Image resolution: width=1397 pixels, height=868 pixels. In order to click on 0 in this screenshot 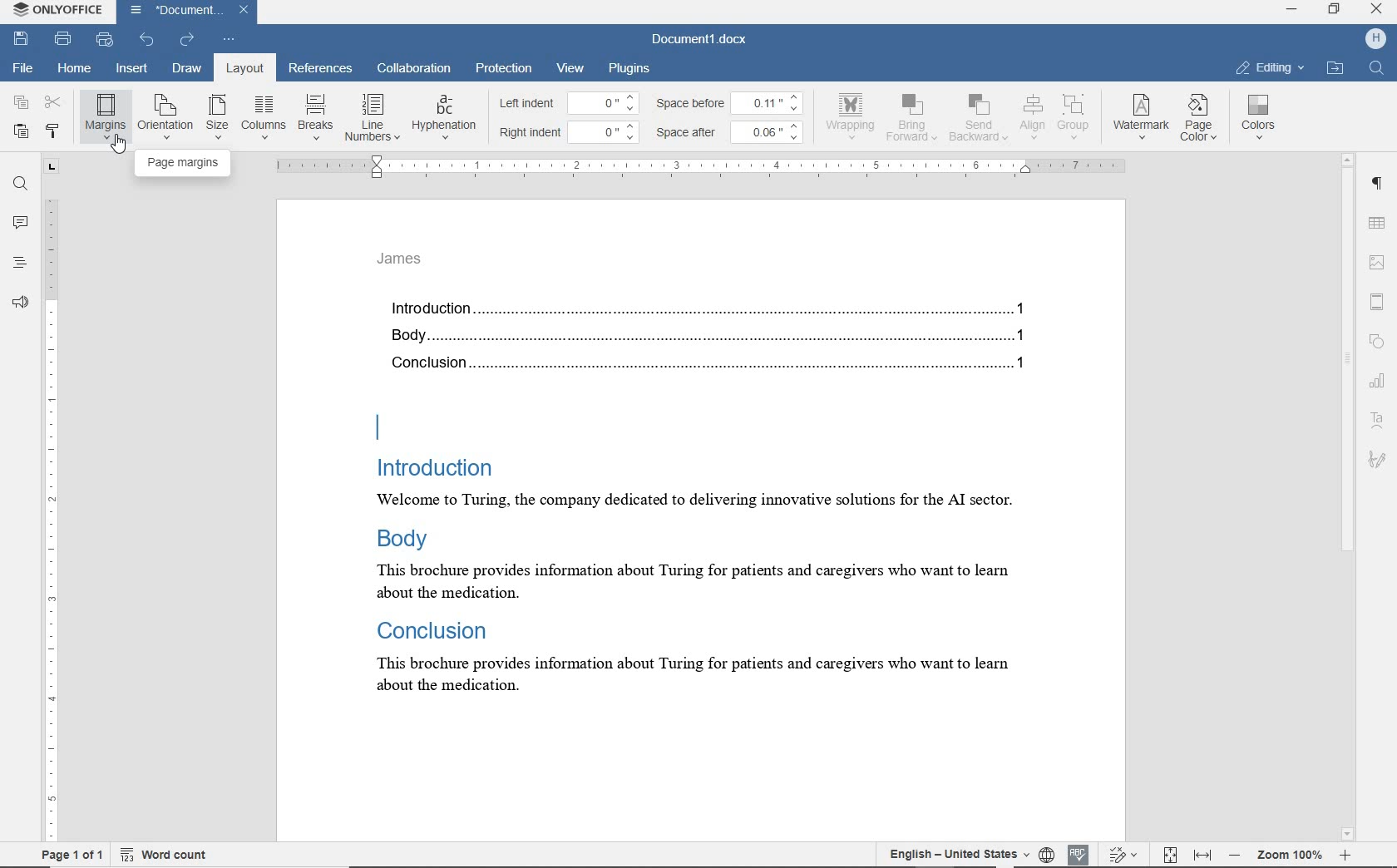, I will do `click(607, 130)`.